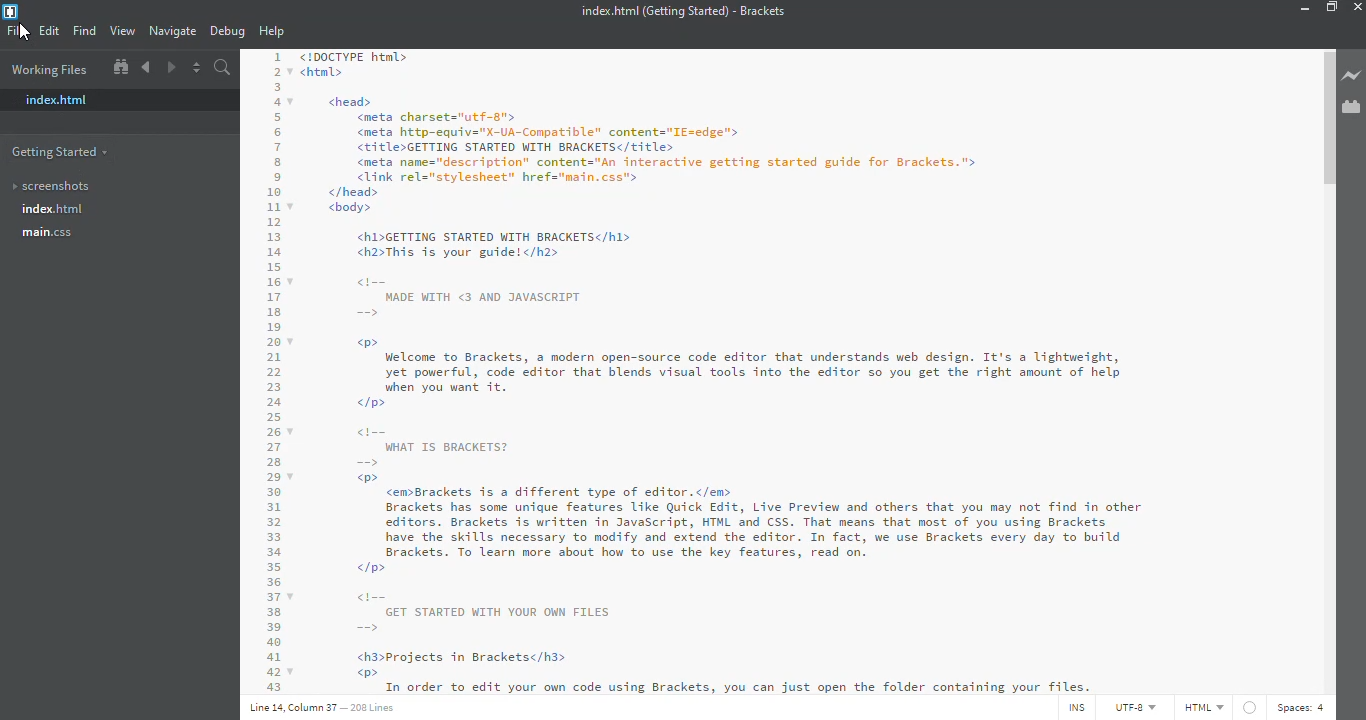 This screenshot has width=1366, height=720. I want to click on scroll bar, so click(1325, 118).